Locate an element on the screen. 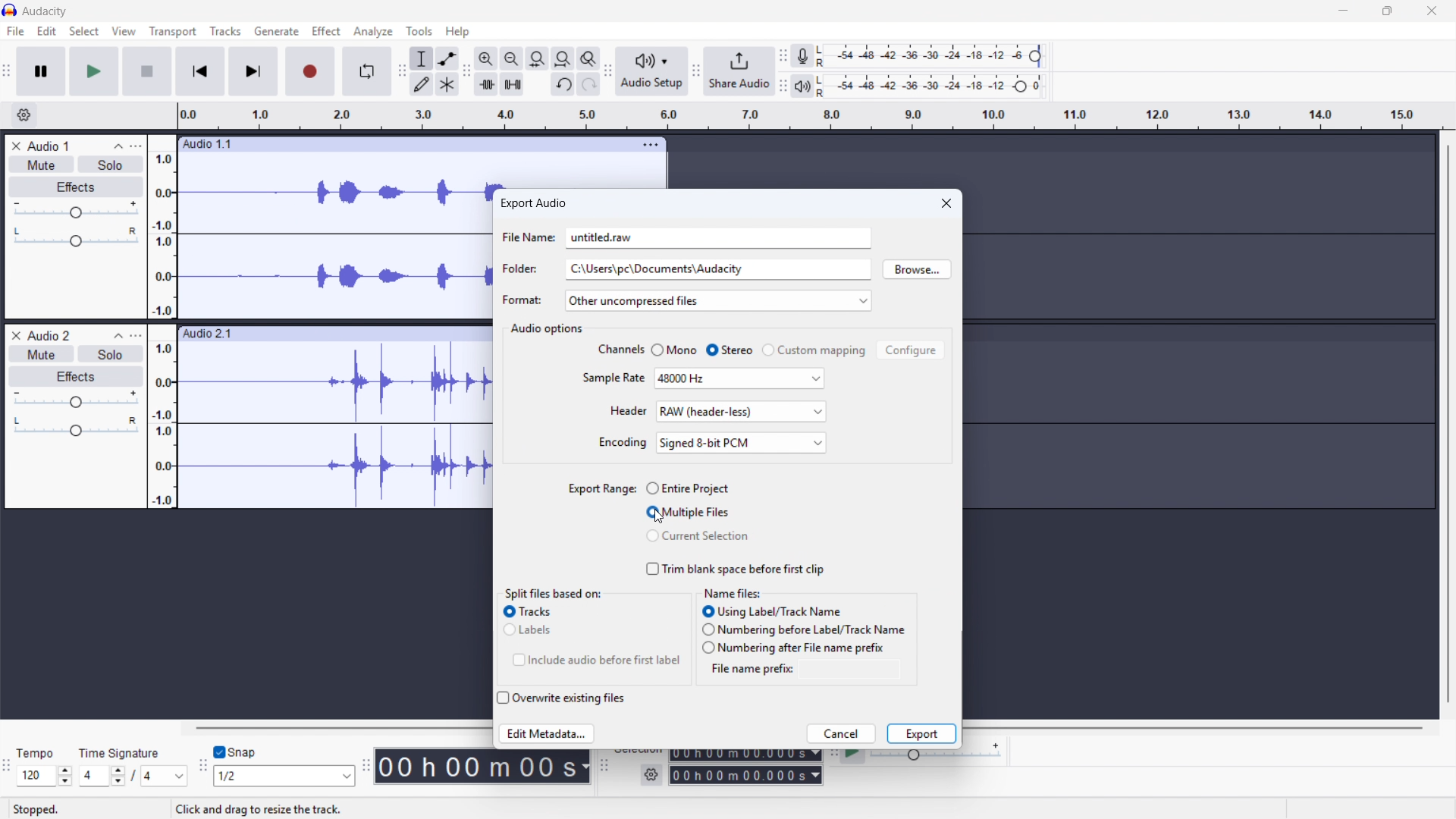  Multi - tool is located at coordinates (448, 85).